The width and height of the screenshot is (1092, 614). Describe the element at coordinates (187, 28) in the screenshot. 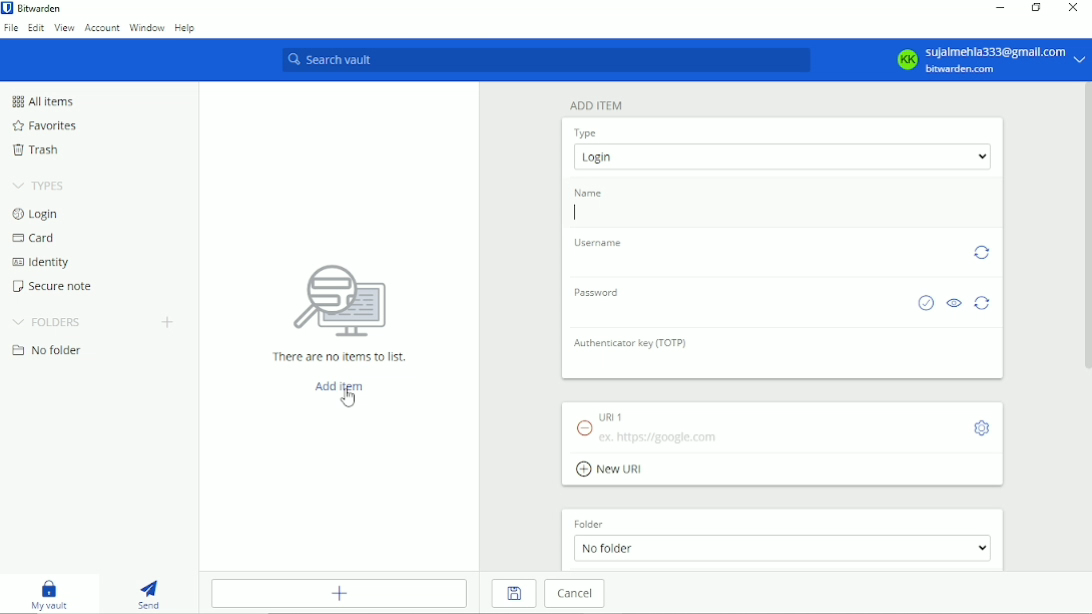

I see `Help` at that location.